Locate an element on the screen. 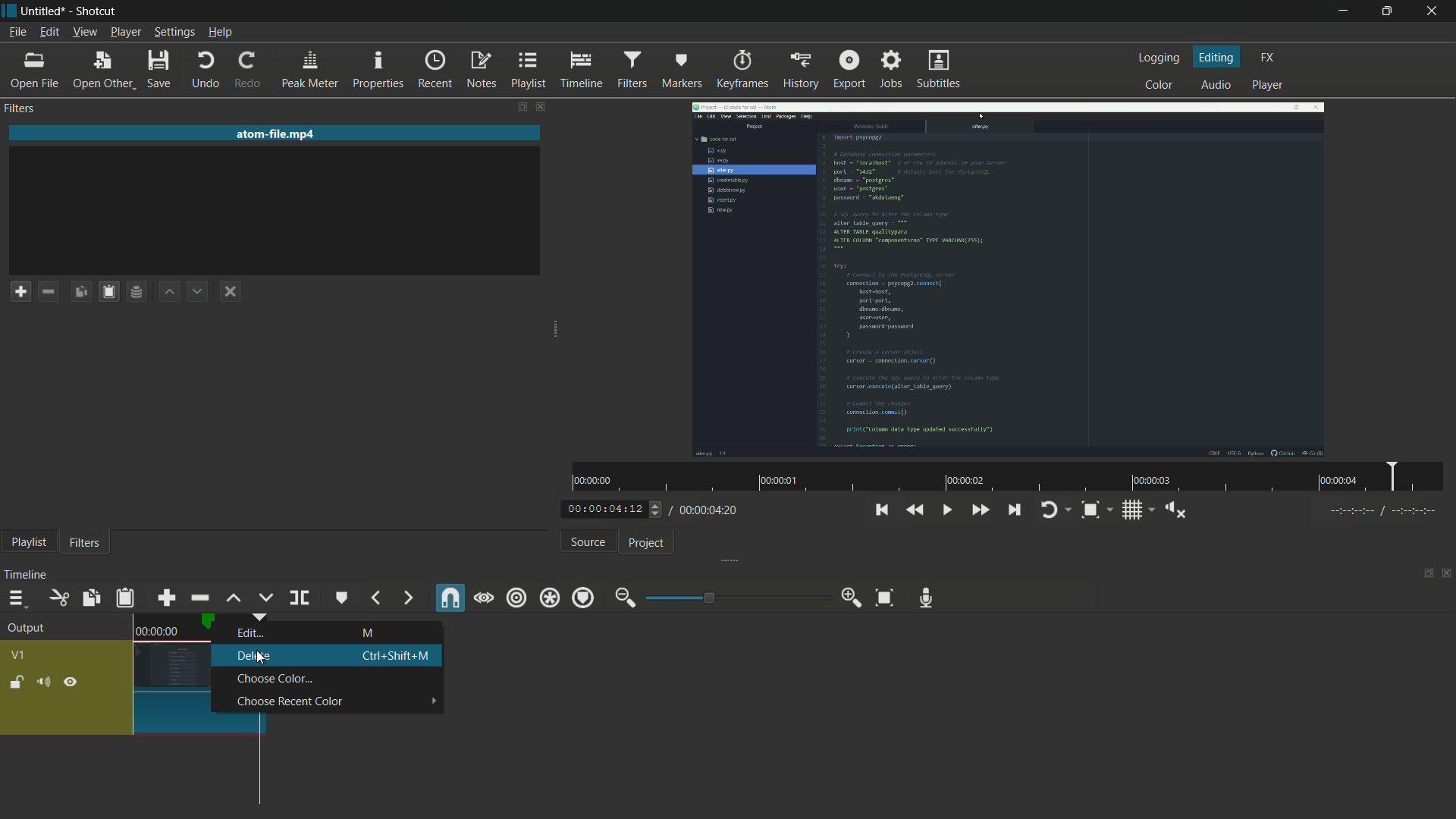  quickly play forward is located at coordinates (980, 510).